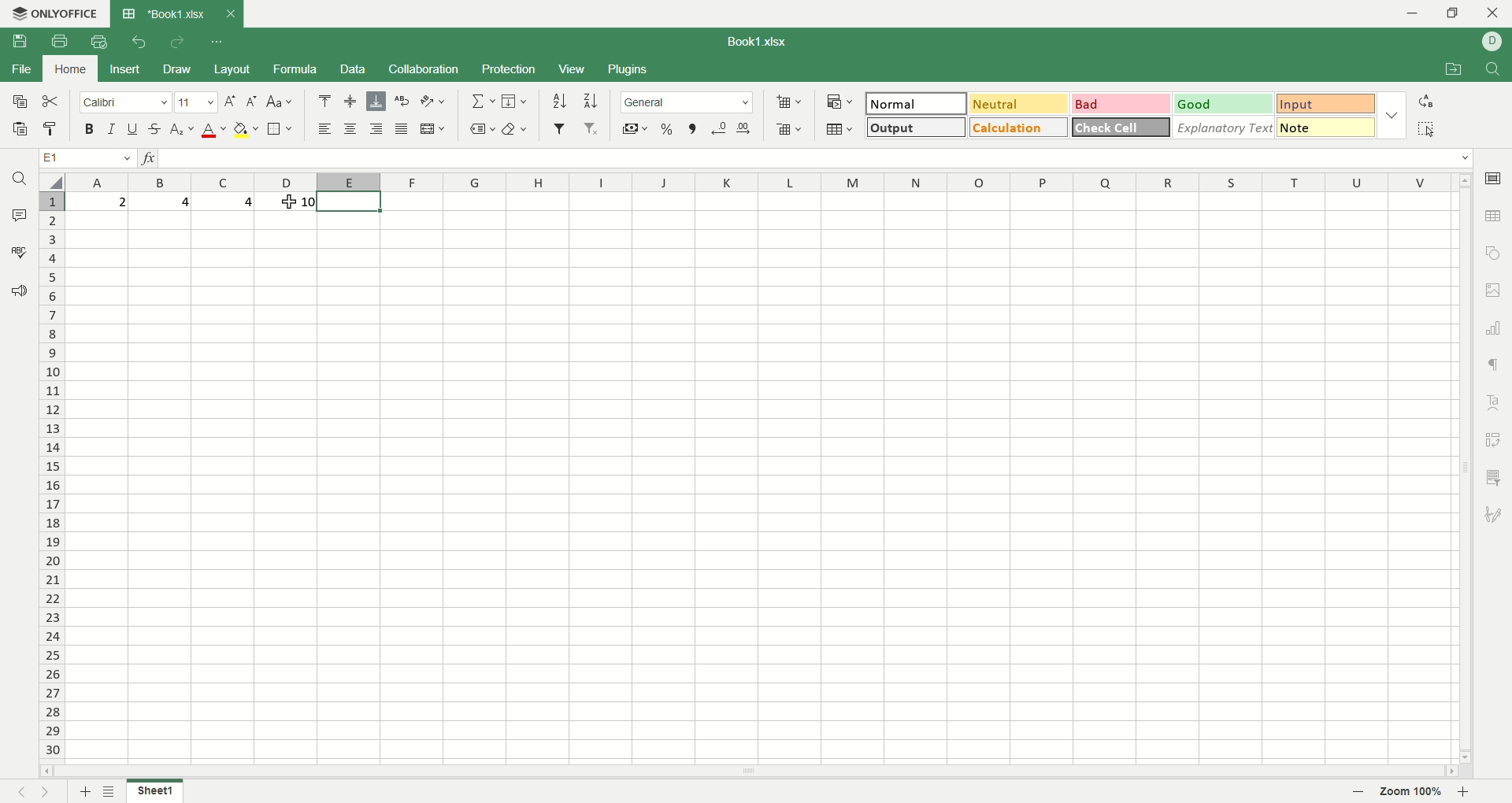  I want to click on print, so click(61, 41).